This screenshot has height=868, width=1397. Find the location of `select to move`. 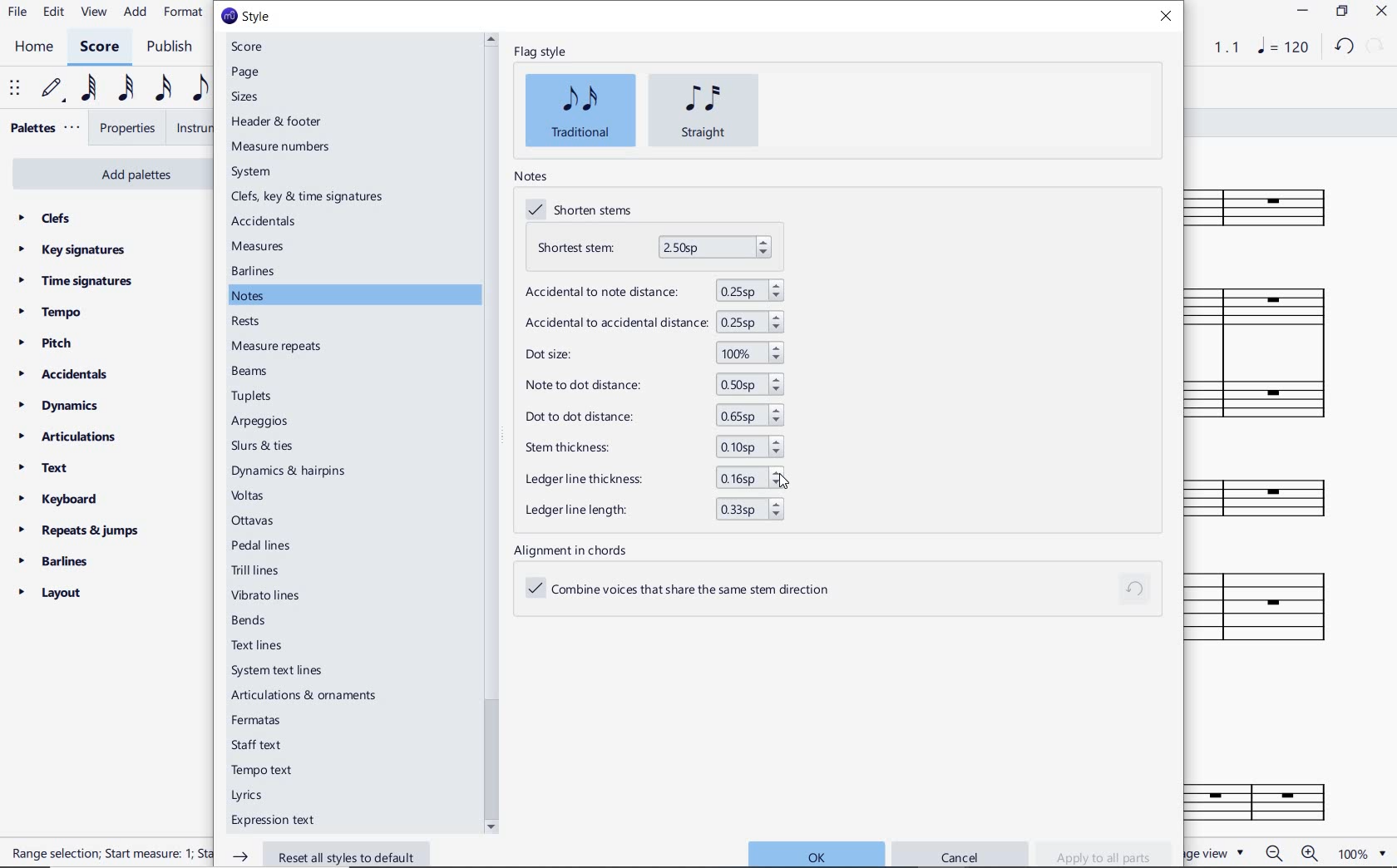

select to move is located at coordinates (13, 89).